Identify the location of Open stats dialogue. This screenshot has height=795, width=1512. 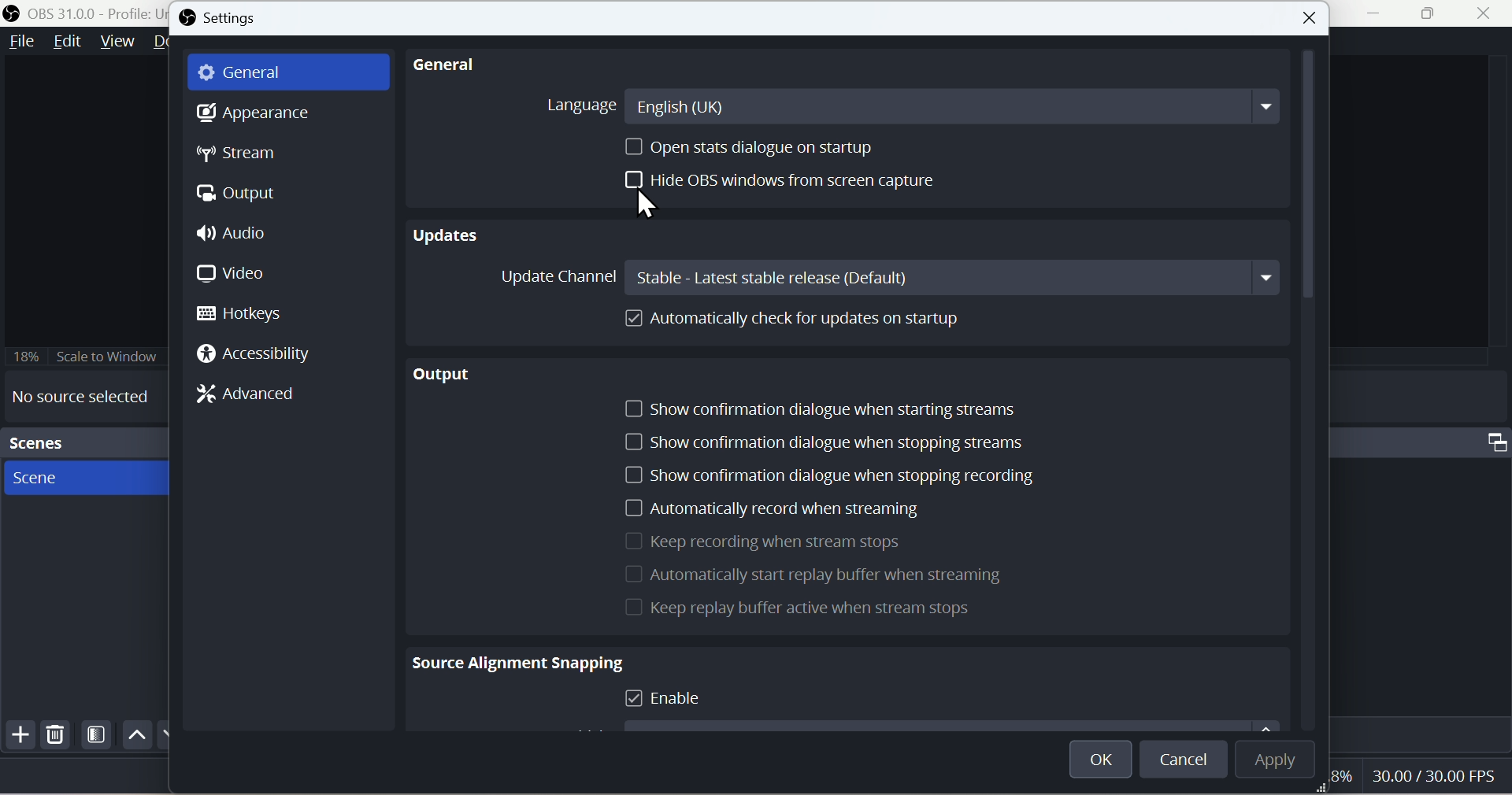
(749, 149).